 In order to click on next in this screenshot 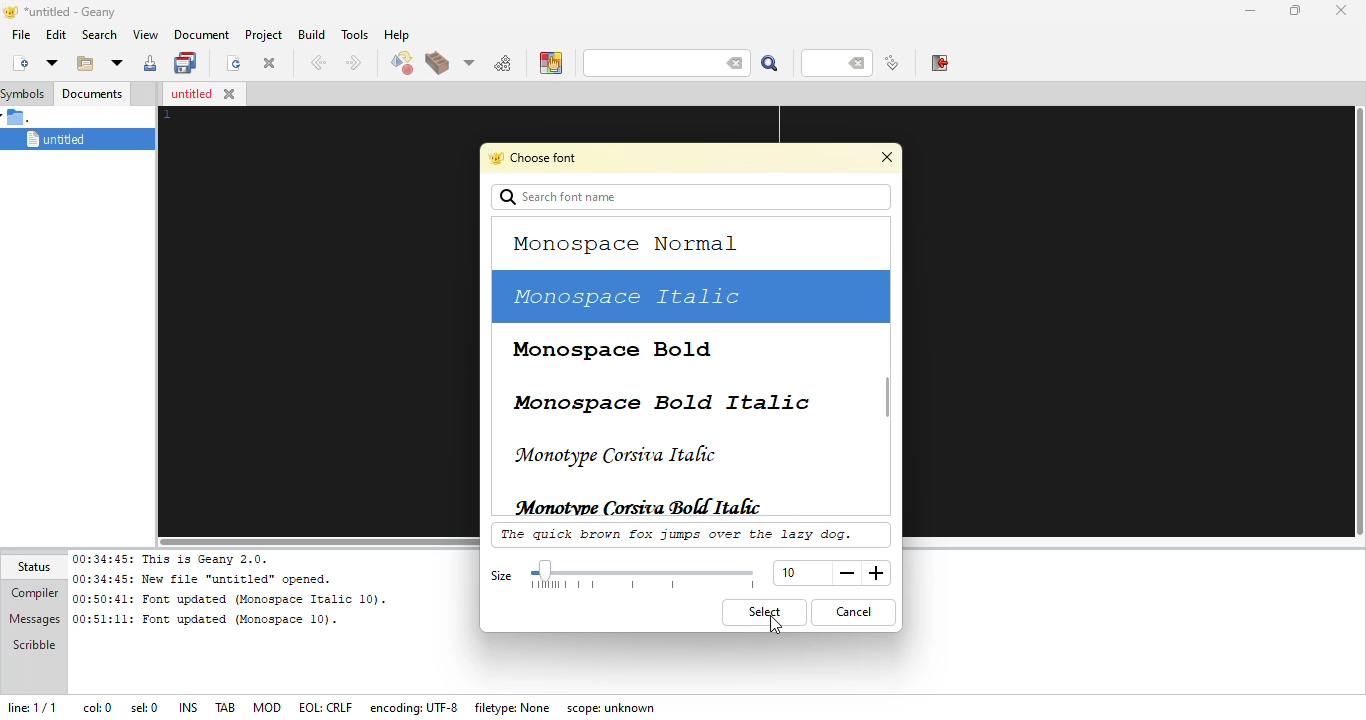, I will do `click(352, 63)`.